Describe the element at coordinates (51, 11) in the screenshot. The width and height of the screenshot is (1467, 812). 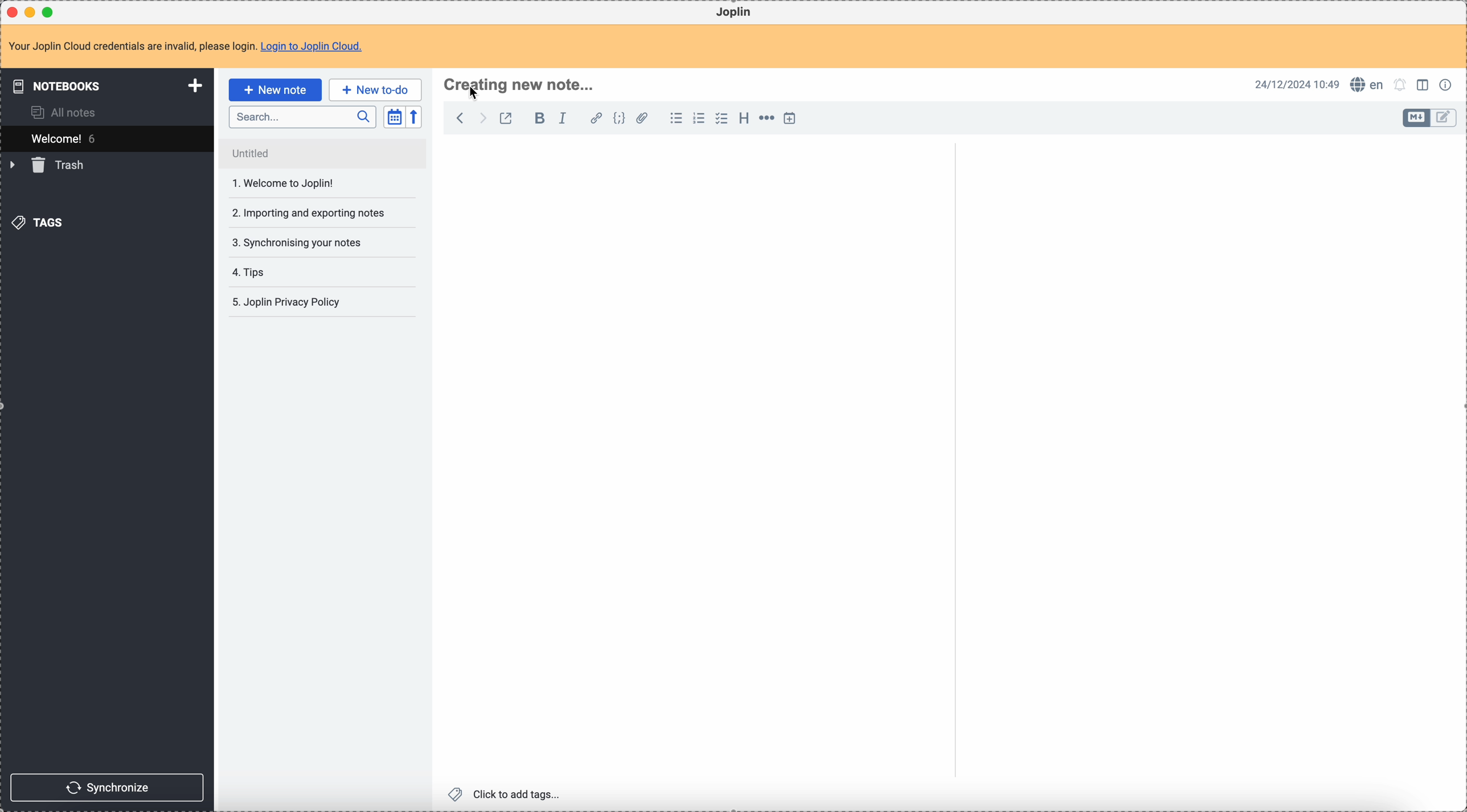
I see `maximize Joplin` at that location.